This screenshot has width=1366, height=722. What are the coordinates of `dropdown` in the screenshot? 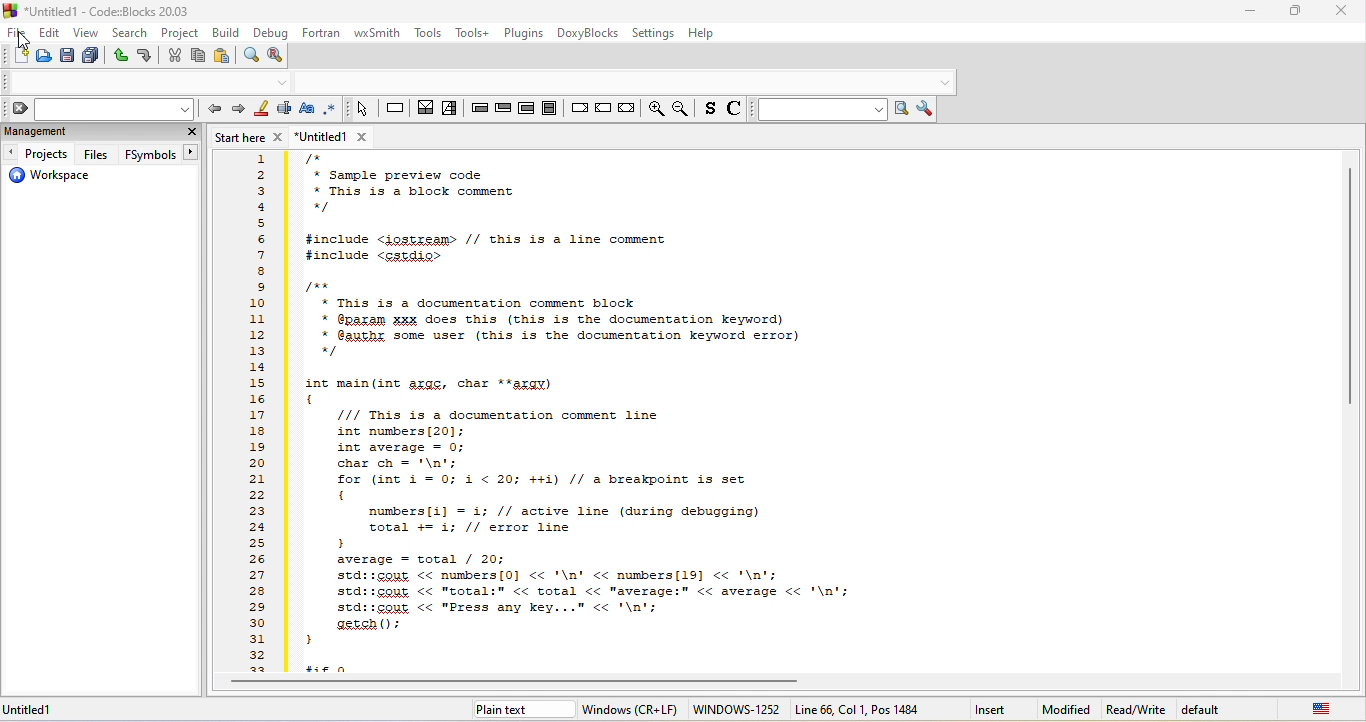 It's located at (283, 83).